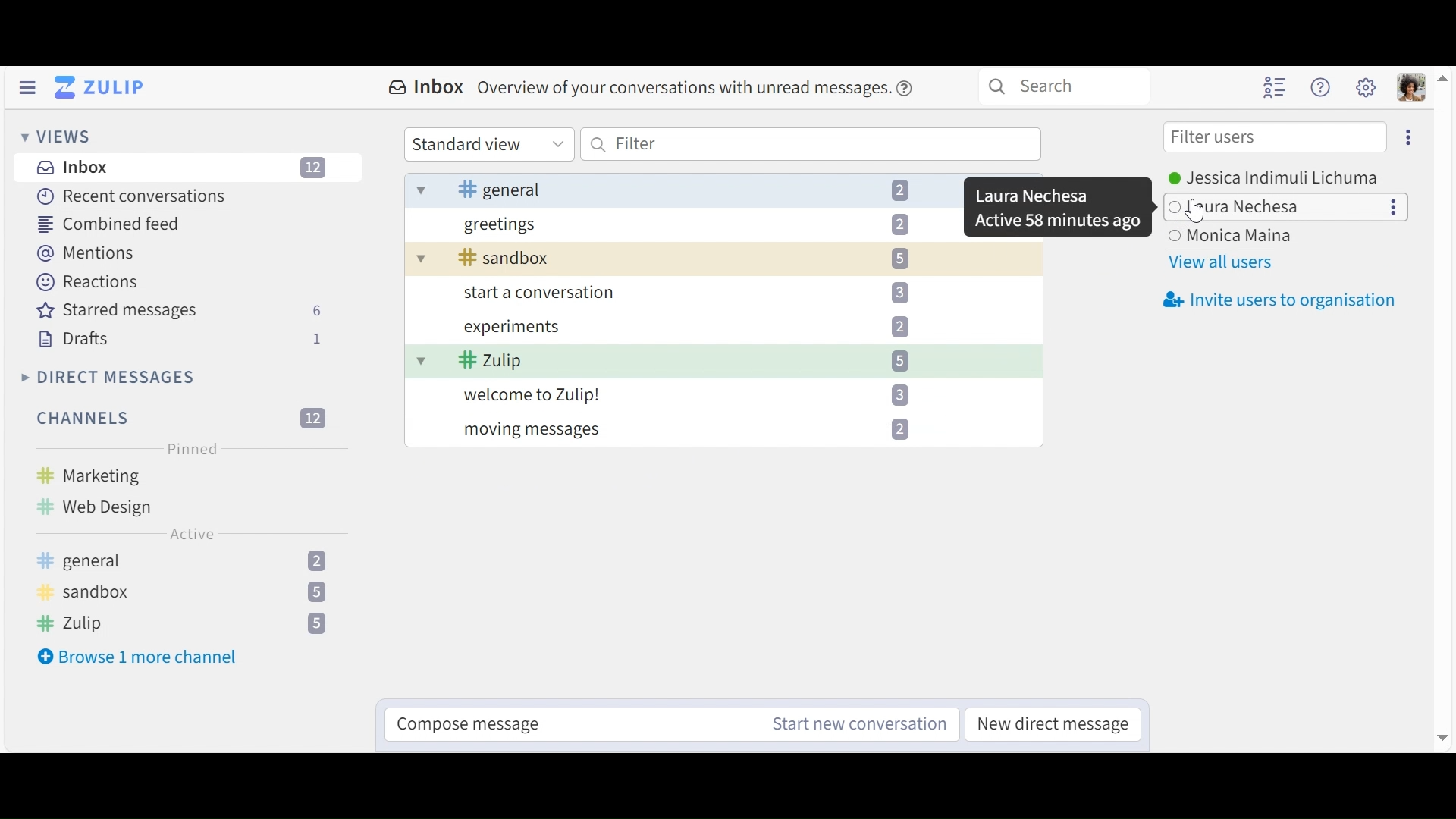  I want to click on sandbox, so click(184, 593).